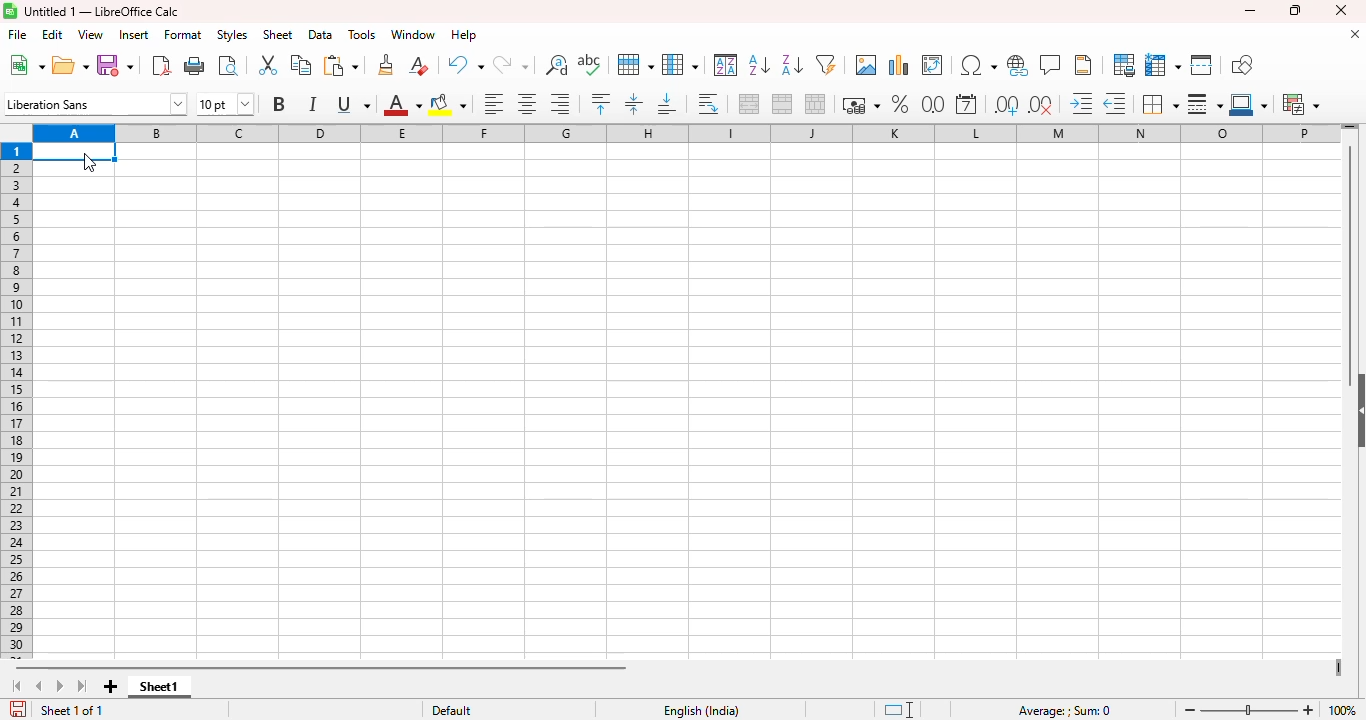 The width and height of the screenshot is (1366, 720). Describe the element at coordinates (52, 35) in the screenshot. I see `edit` at that location.